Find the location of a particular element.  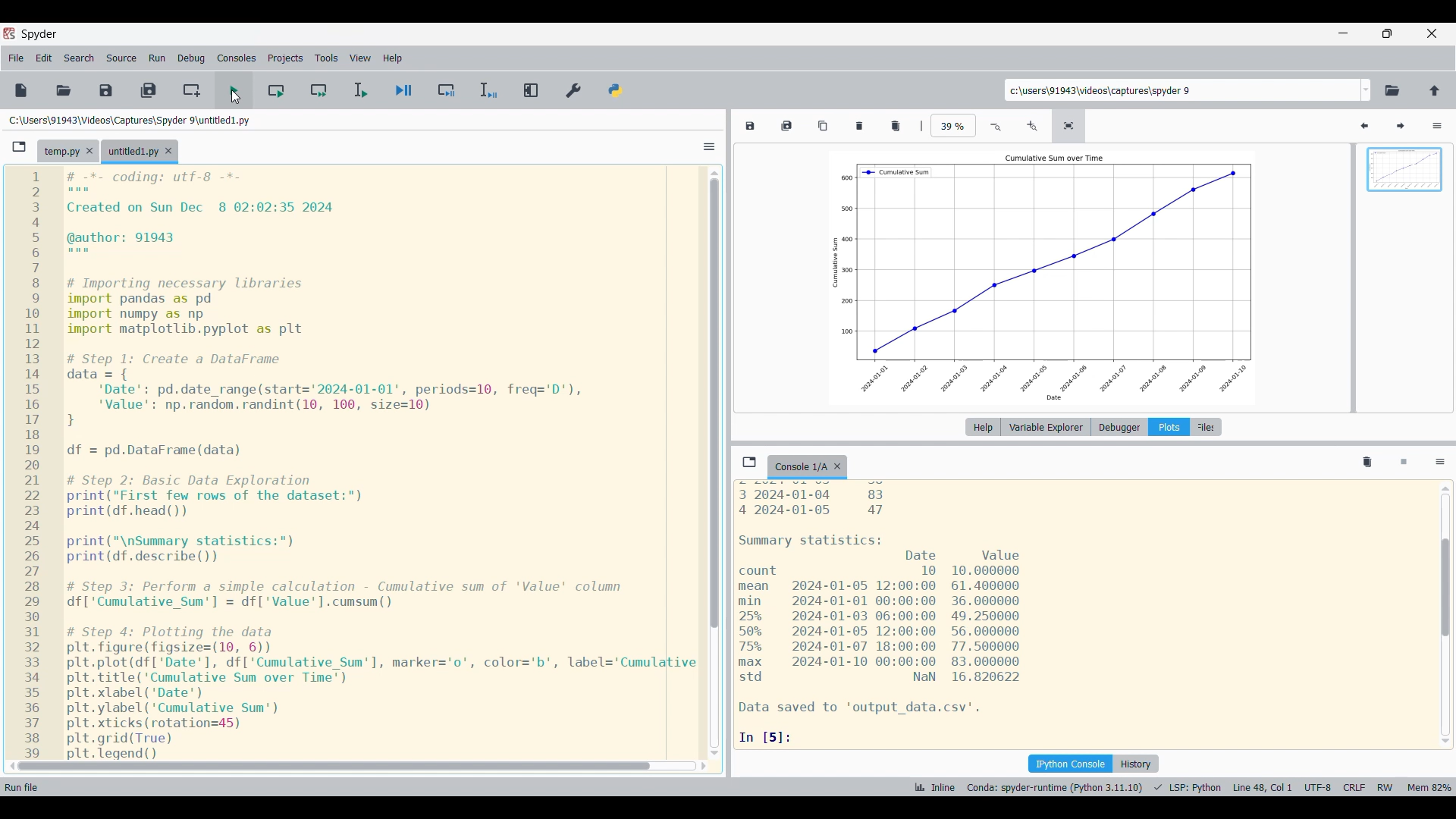

Previous plot is located at coordinates (1366, 126).